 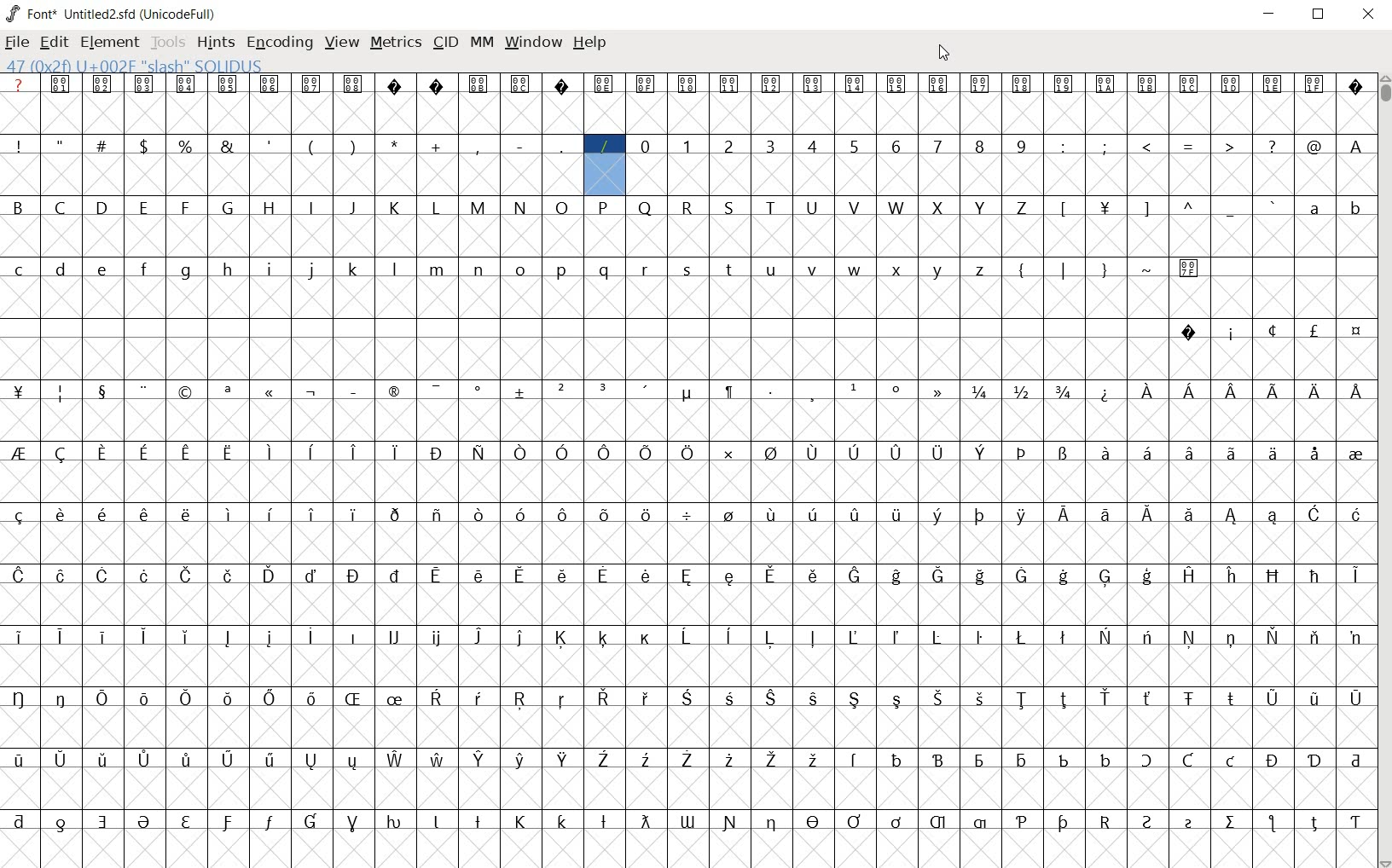 I want to click on Encoding, so click(x=181, y=12).